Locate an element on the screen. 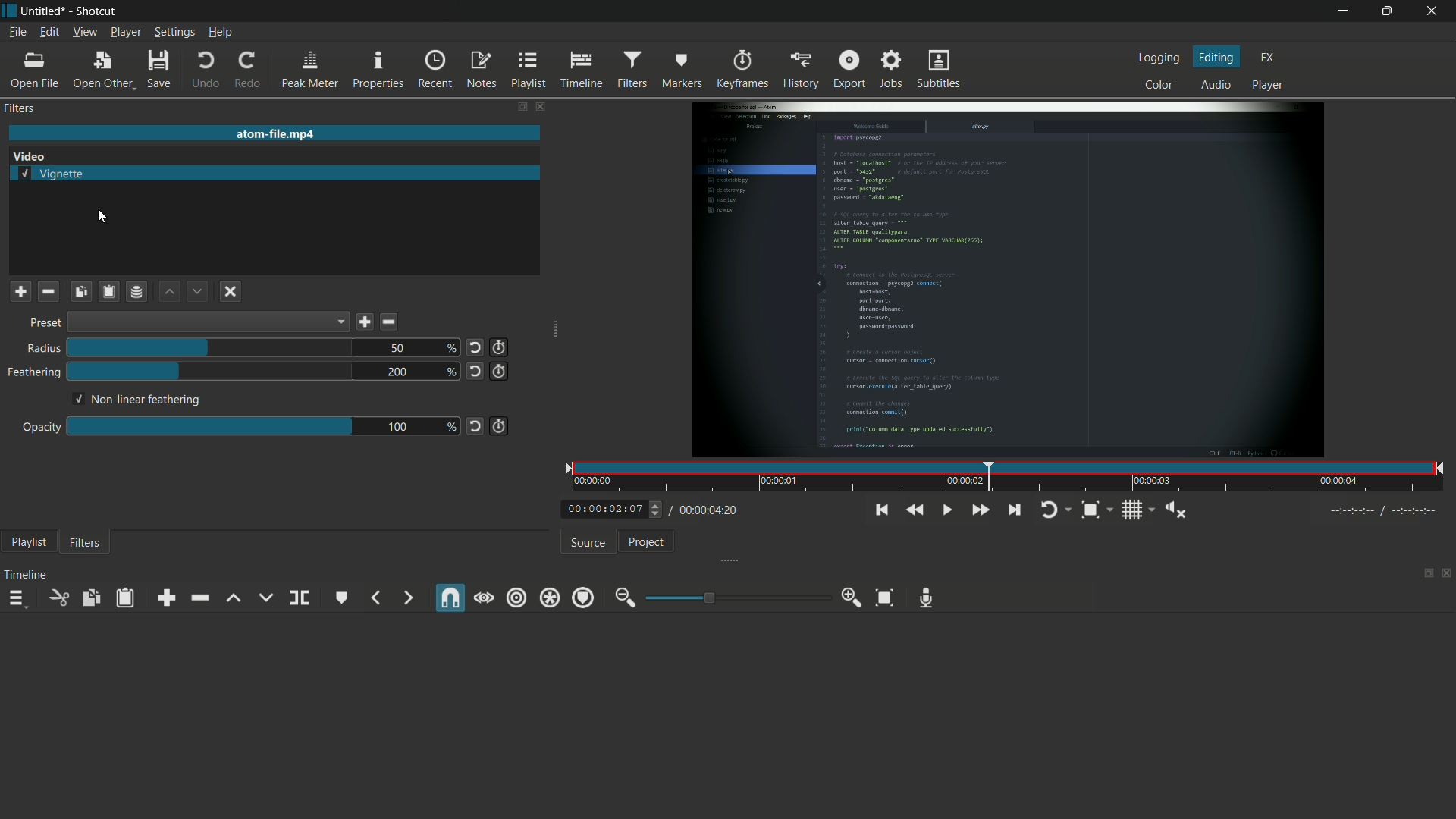 Image resolution: width=1456 pixels, height=819 pixels. cursor is located at coordinates (100, 216).